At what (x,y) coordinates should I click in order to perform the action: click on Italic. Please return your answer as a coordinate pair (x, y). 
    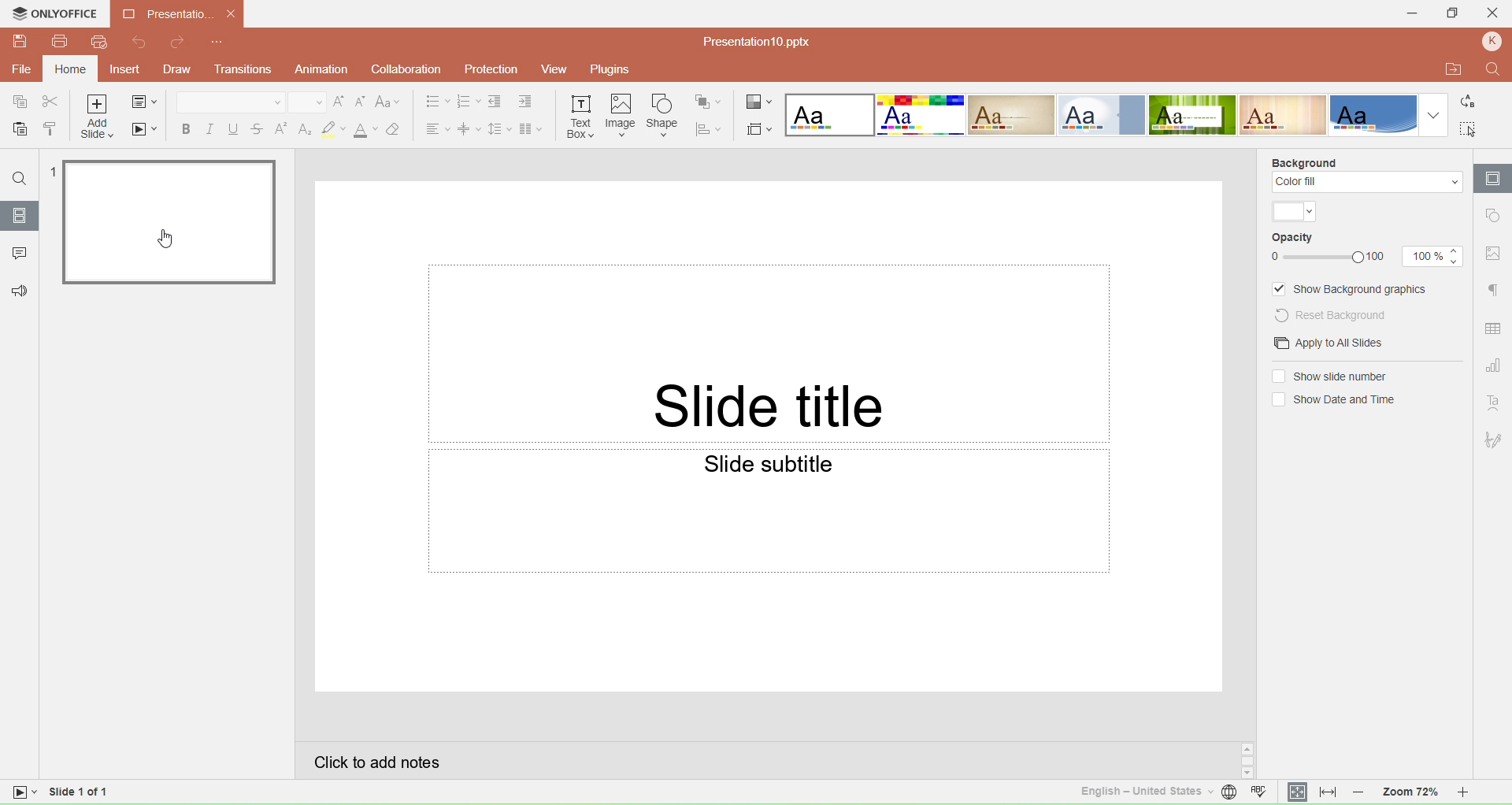
    Looking at the image, I should click on (208, 128).